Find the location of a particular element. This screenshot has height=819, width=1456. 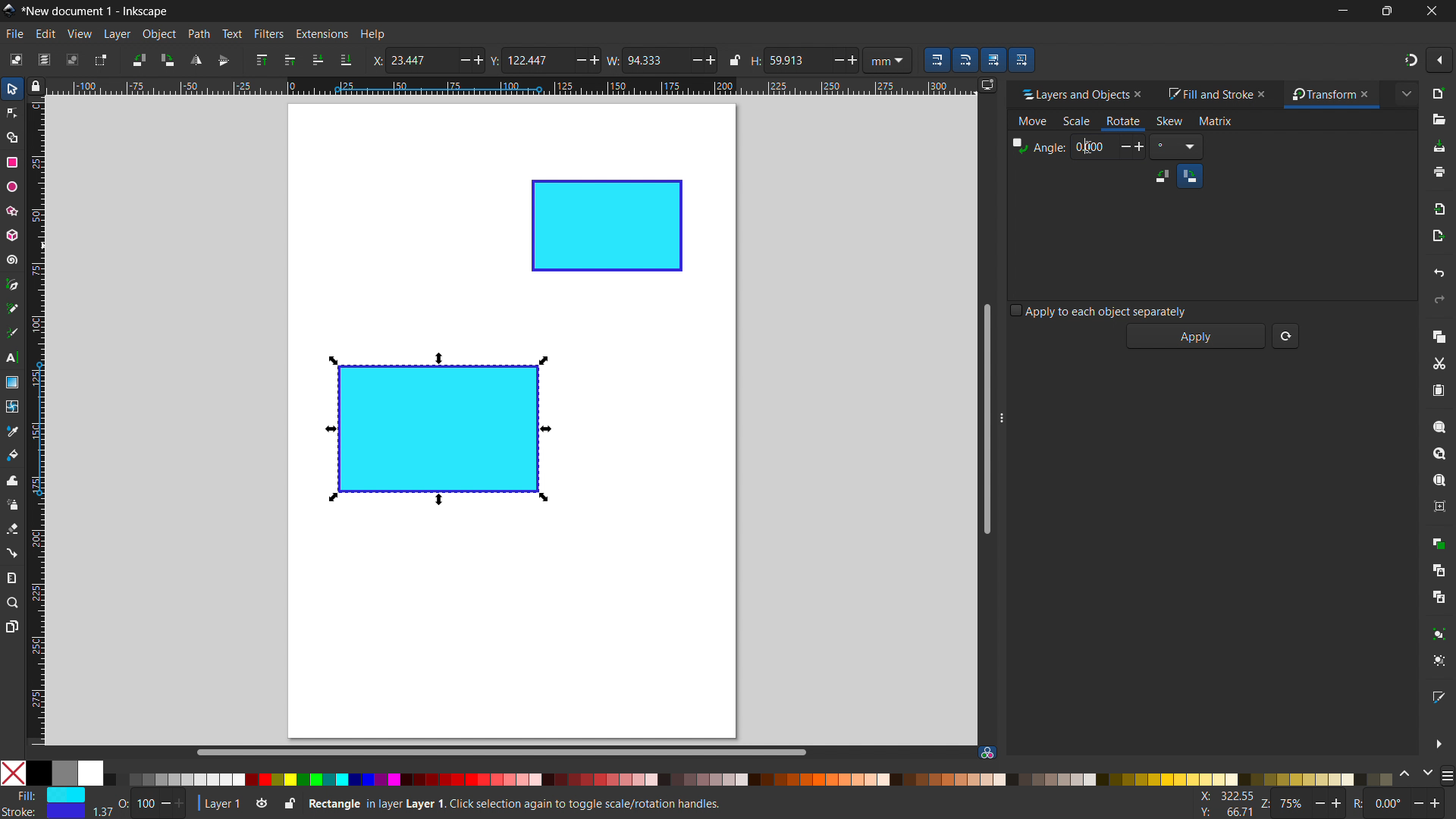

*New document 1 - Inkscape is located at coordinates (96, 11).